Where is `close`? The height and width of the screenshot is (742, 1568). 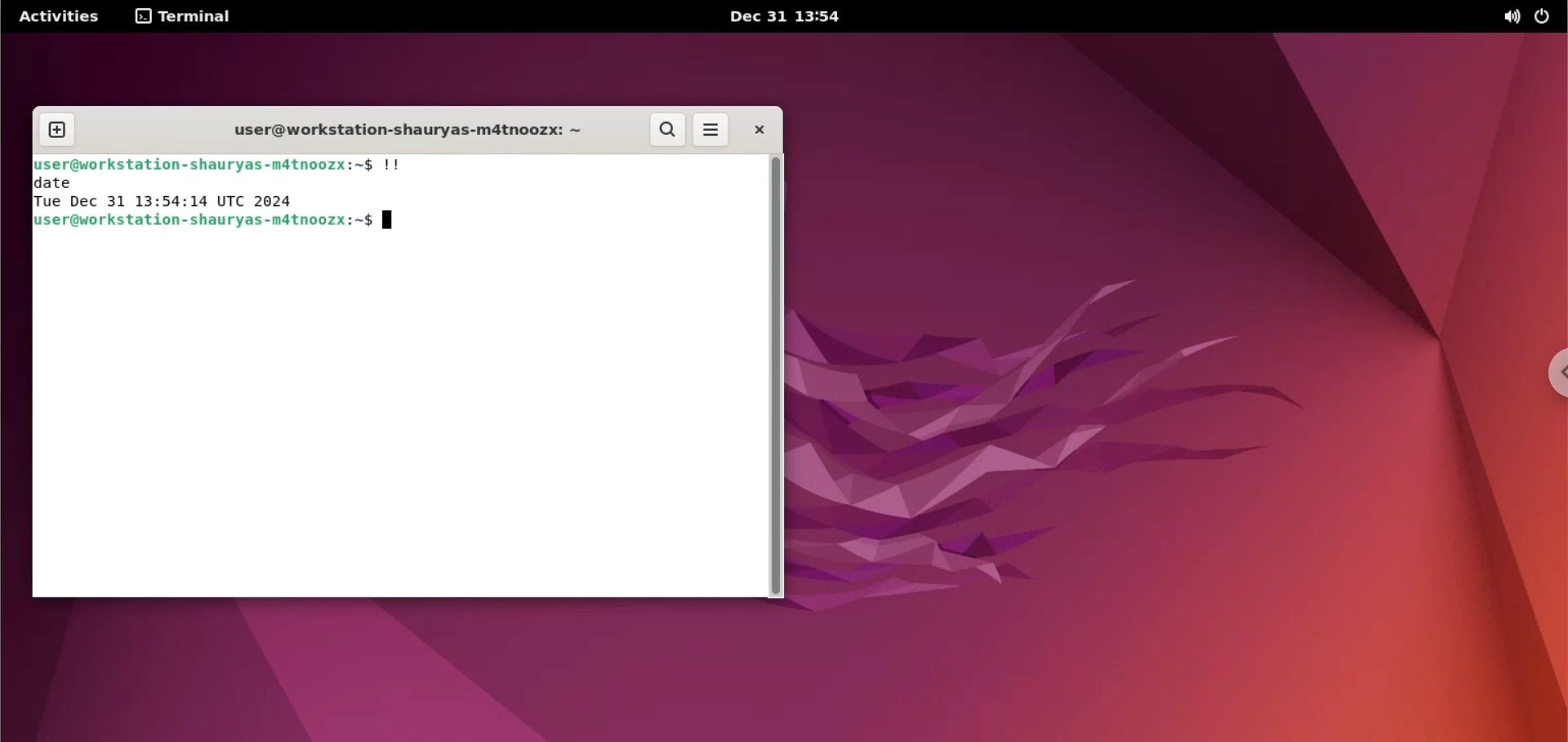
close is located at coordinates (755, 131).